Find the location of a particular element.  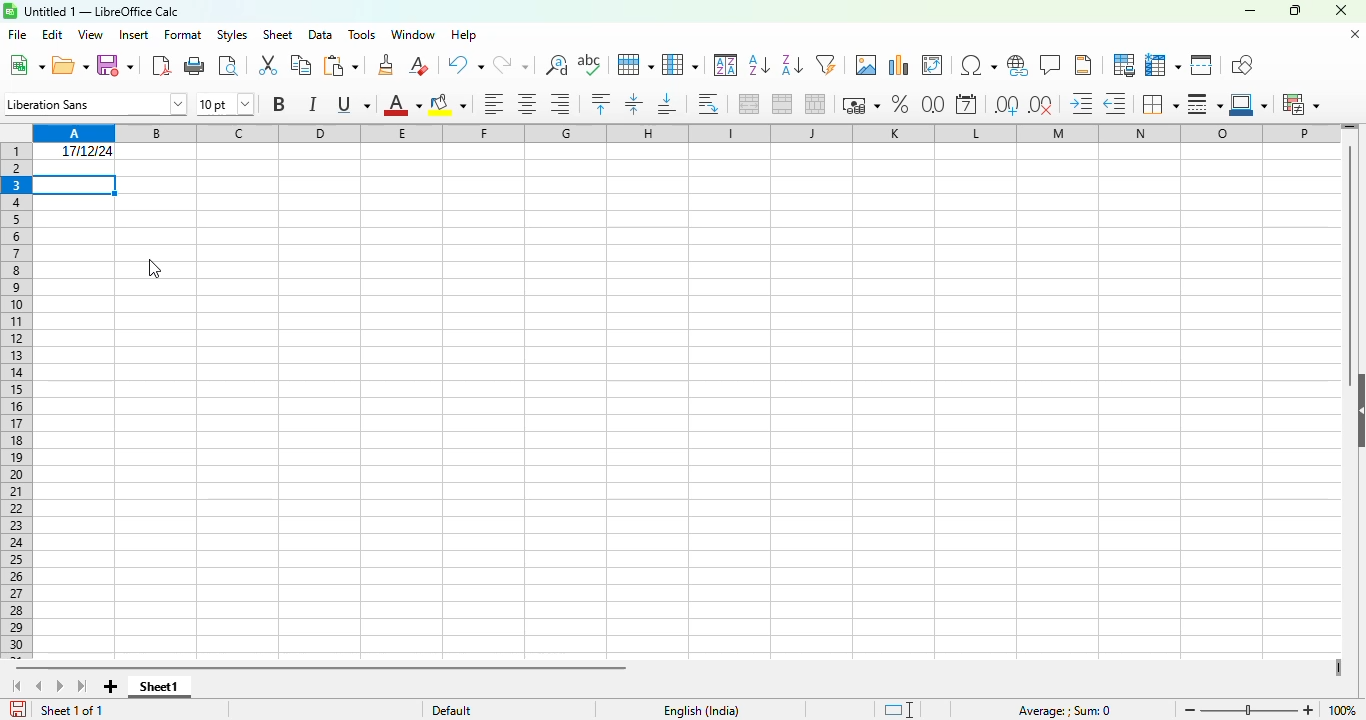

align center is located at coordinates (527, 105).